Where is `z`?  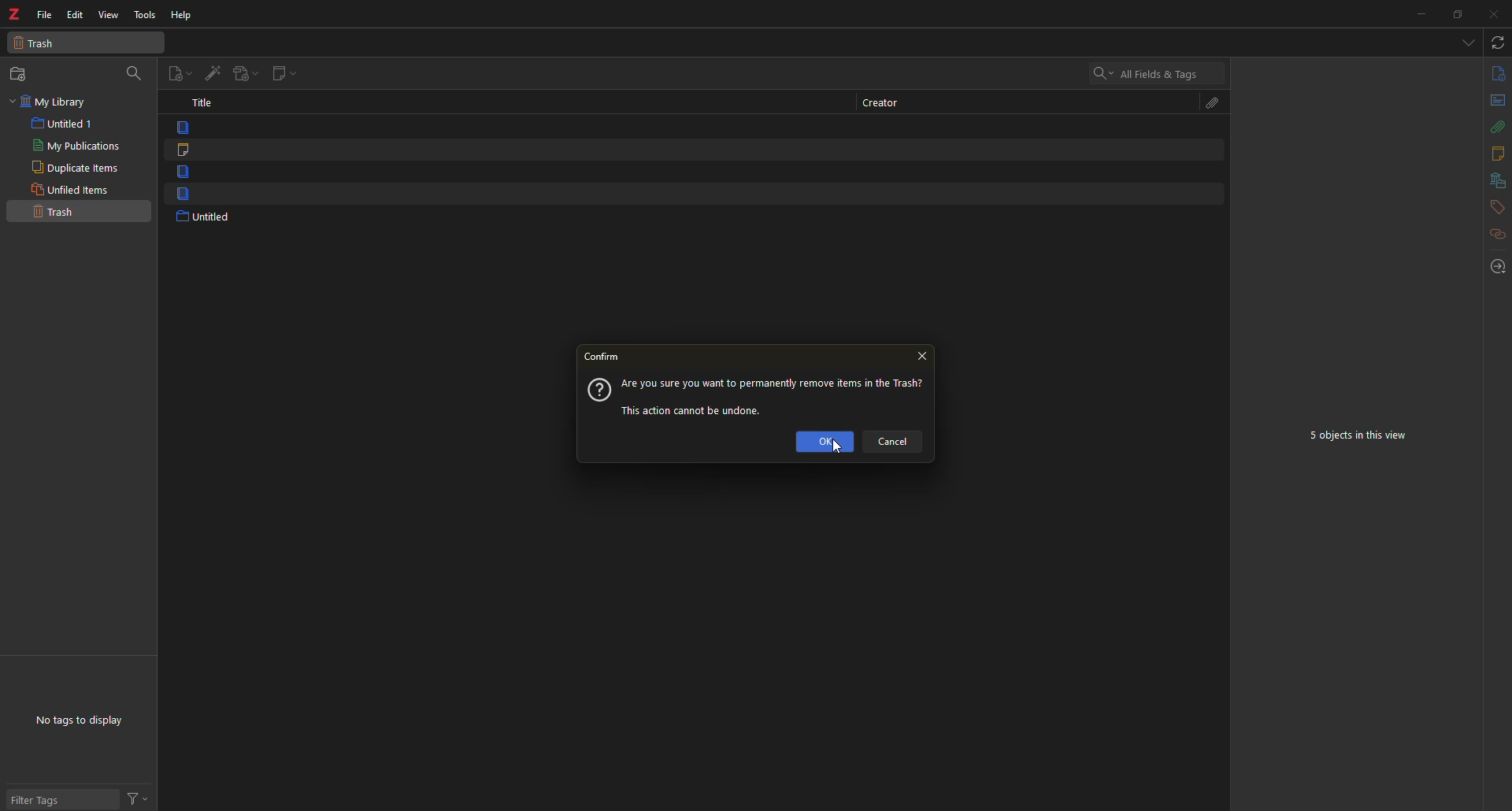
z is located at coordinates (14, 10).